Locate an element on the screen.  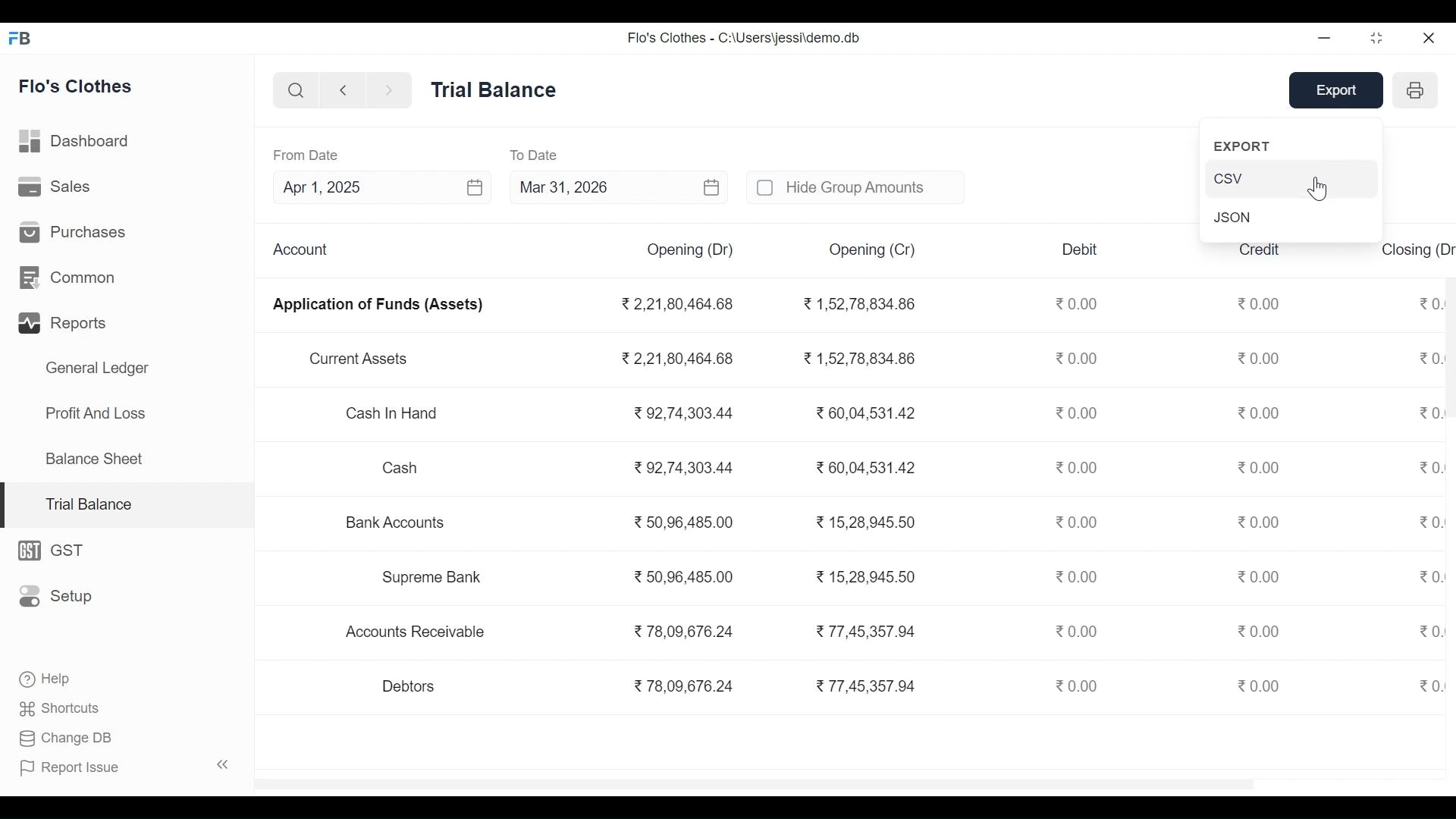
15.28.945 50 is located at coordinates (867, 522).